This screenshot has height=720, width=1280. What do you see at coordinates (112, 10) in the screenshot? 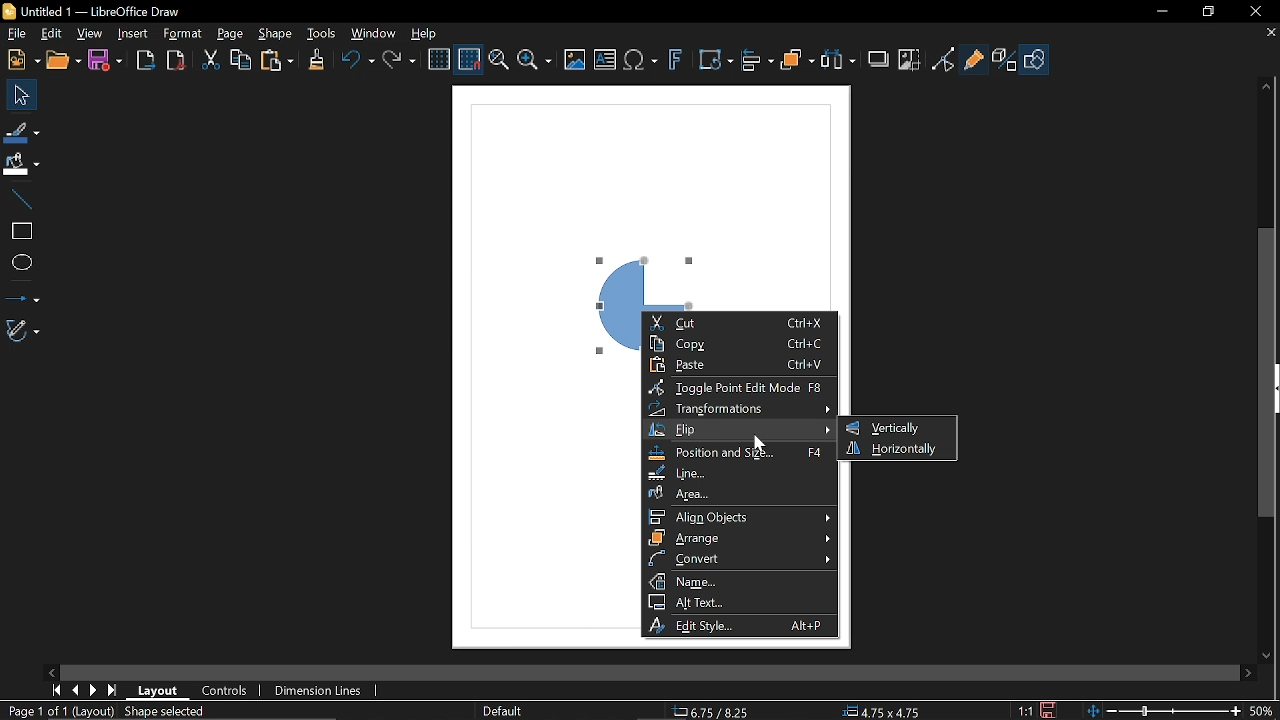
I see `Untitled 1 -- LibreOffice Draw` at bounding box center [112, 10].